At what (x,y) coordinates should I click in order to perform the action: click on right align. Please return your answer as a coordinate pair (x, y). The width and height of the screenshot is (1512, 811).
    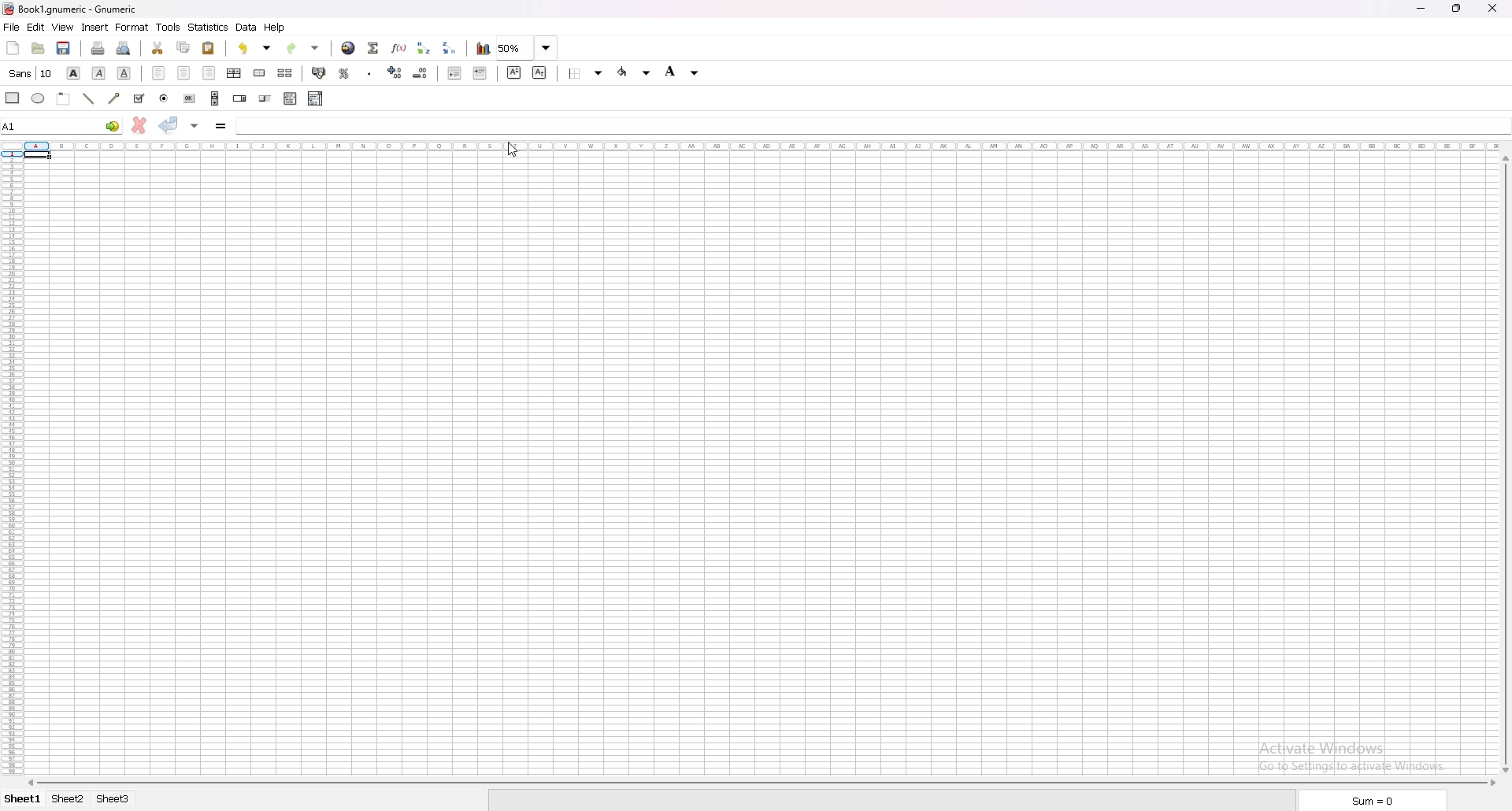
    Looking at the image, I should click on (209, 72).